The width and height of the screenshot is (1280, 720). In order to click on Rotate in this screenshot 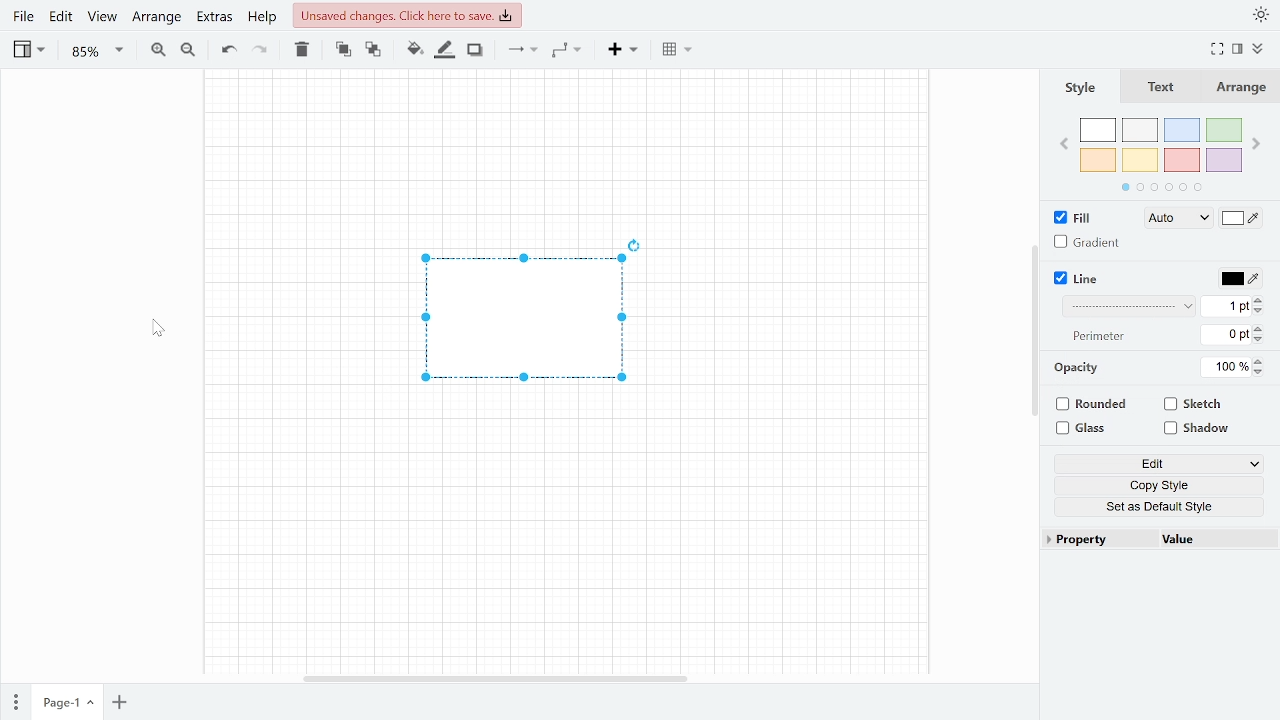, I will do `click(637, 242)`.